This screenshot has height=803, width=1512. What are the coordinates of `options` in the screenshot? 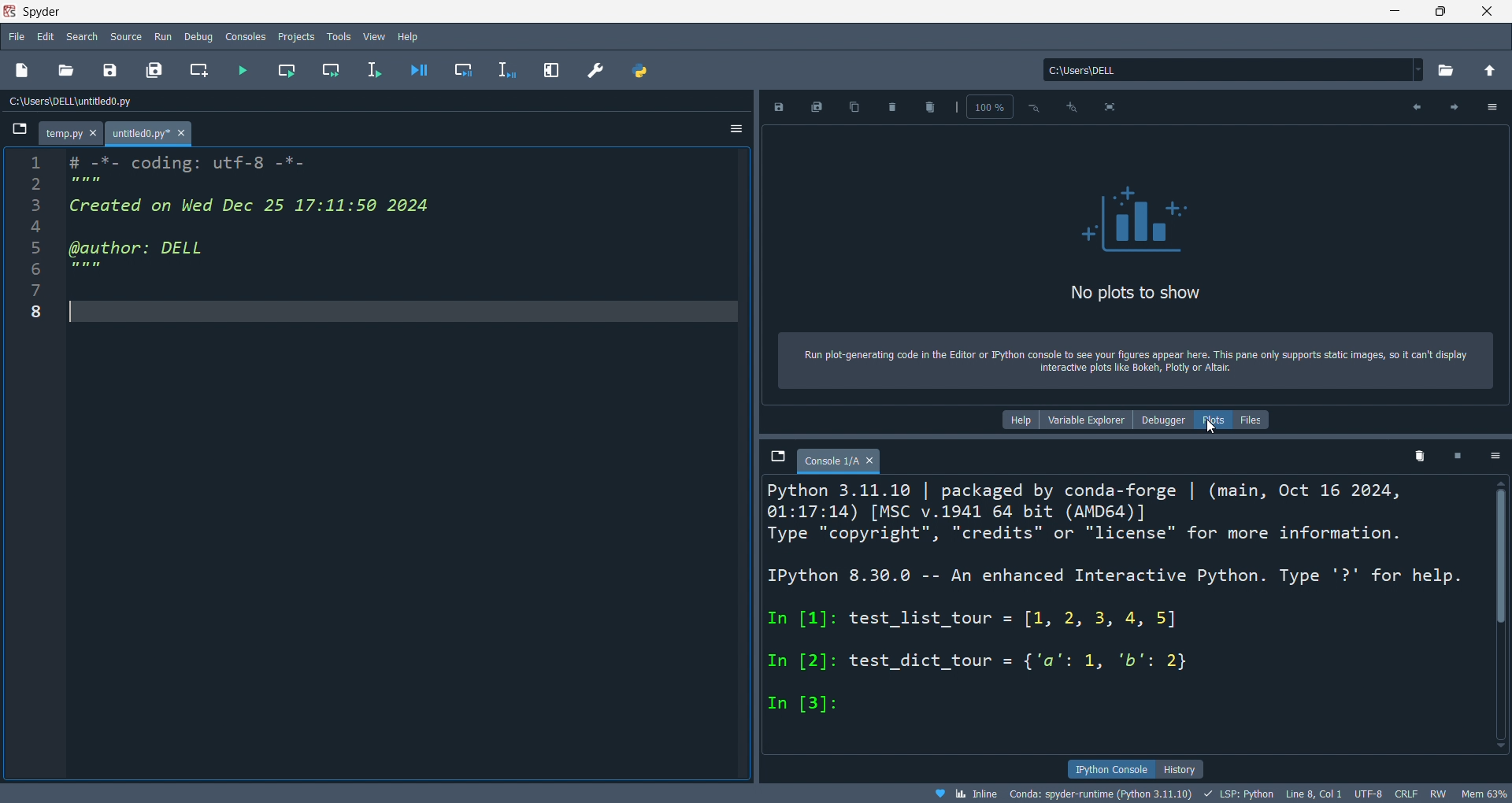 It's located at (737, 128).